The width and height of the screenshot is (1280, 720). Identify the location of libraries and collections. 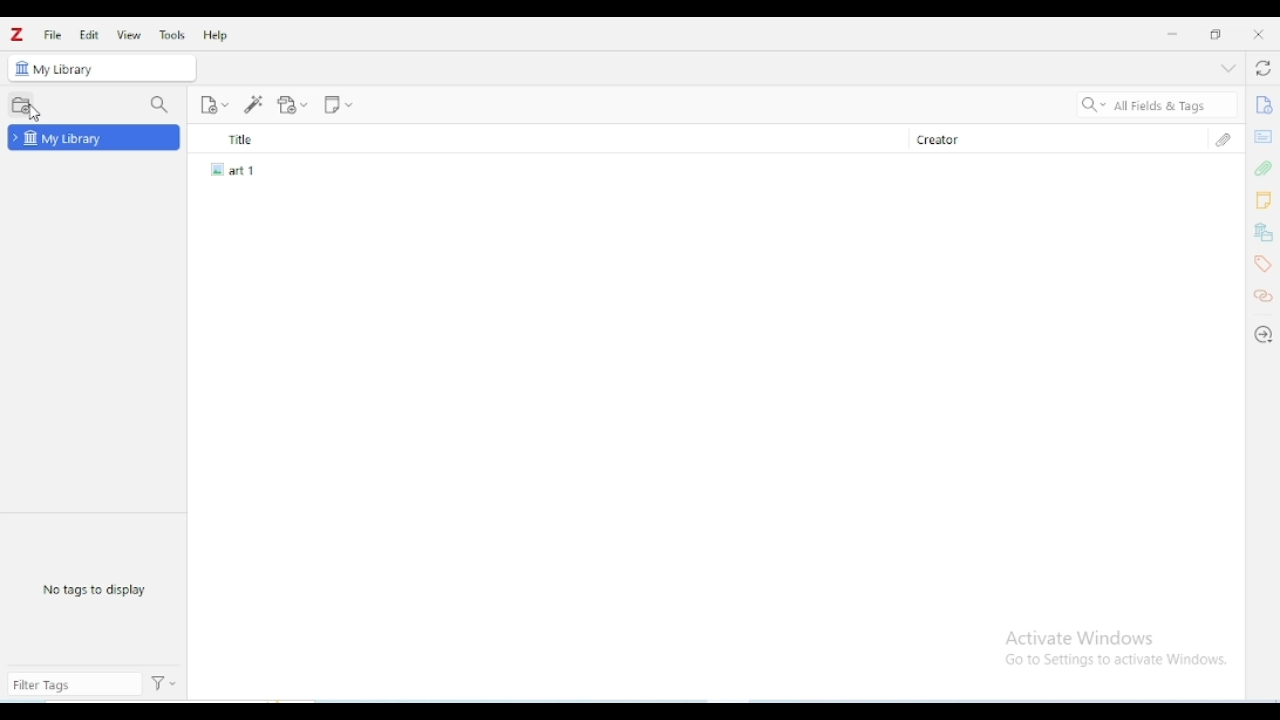
(1264, 233).